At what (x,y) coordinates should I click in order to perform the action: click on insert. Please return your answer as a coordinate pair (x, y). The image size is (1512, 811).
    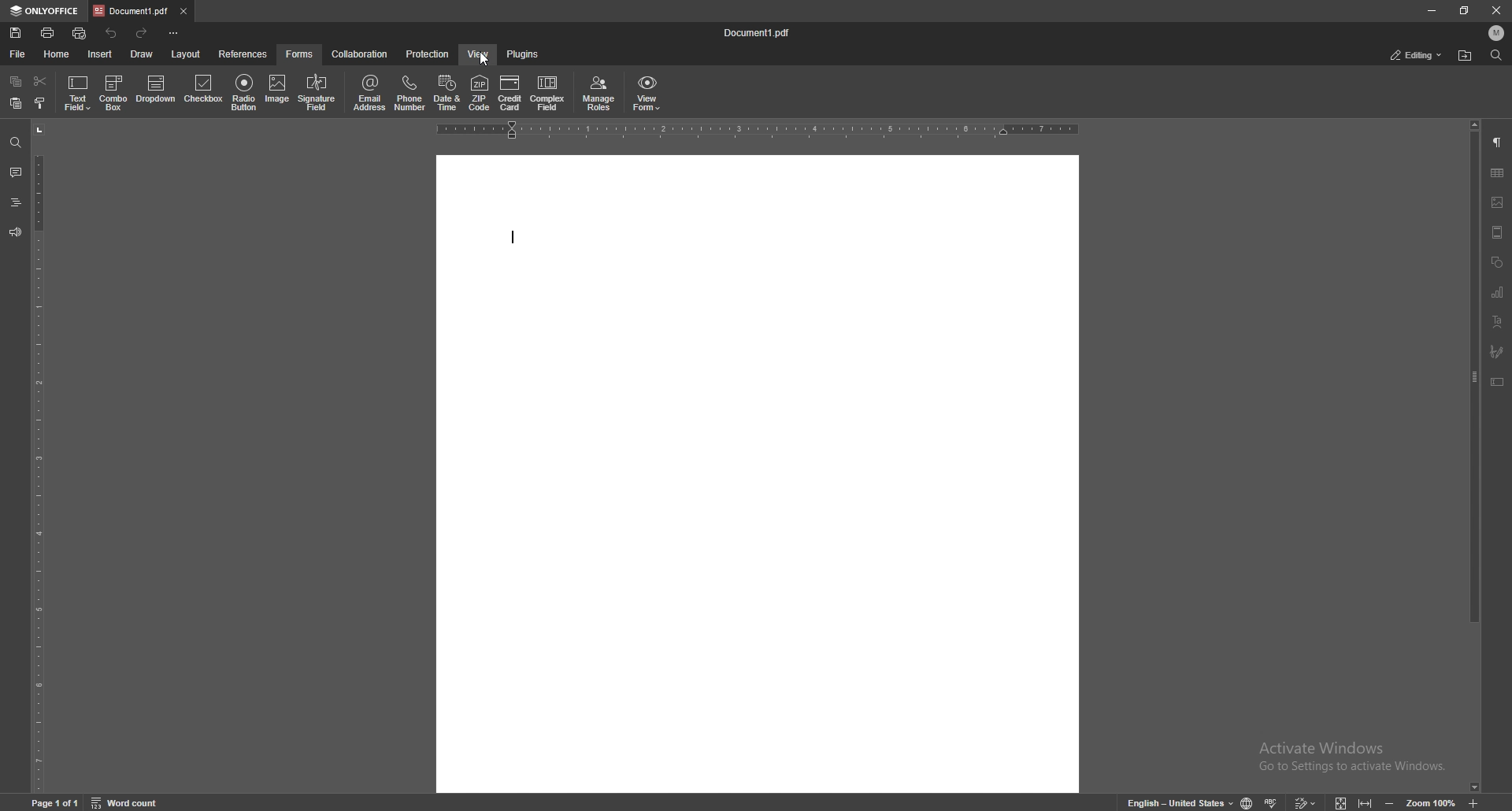
    Looking at the image, I should click on (100, 54).